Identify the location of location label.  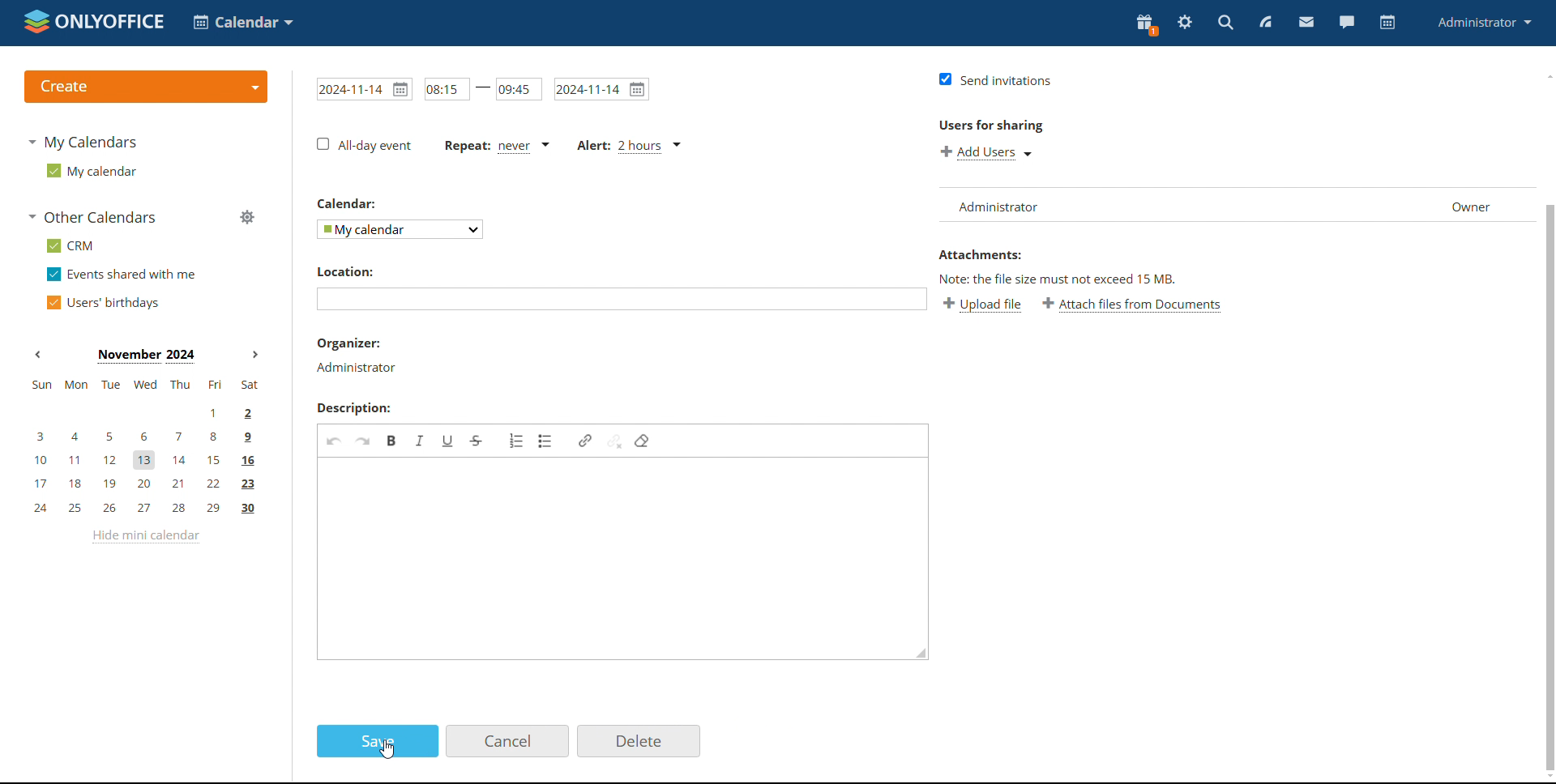
(347, 271).